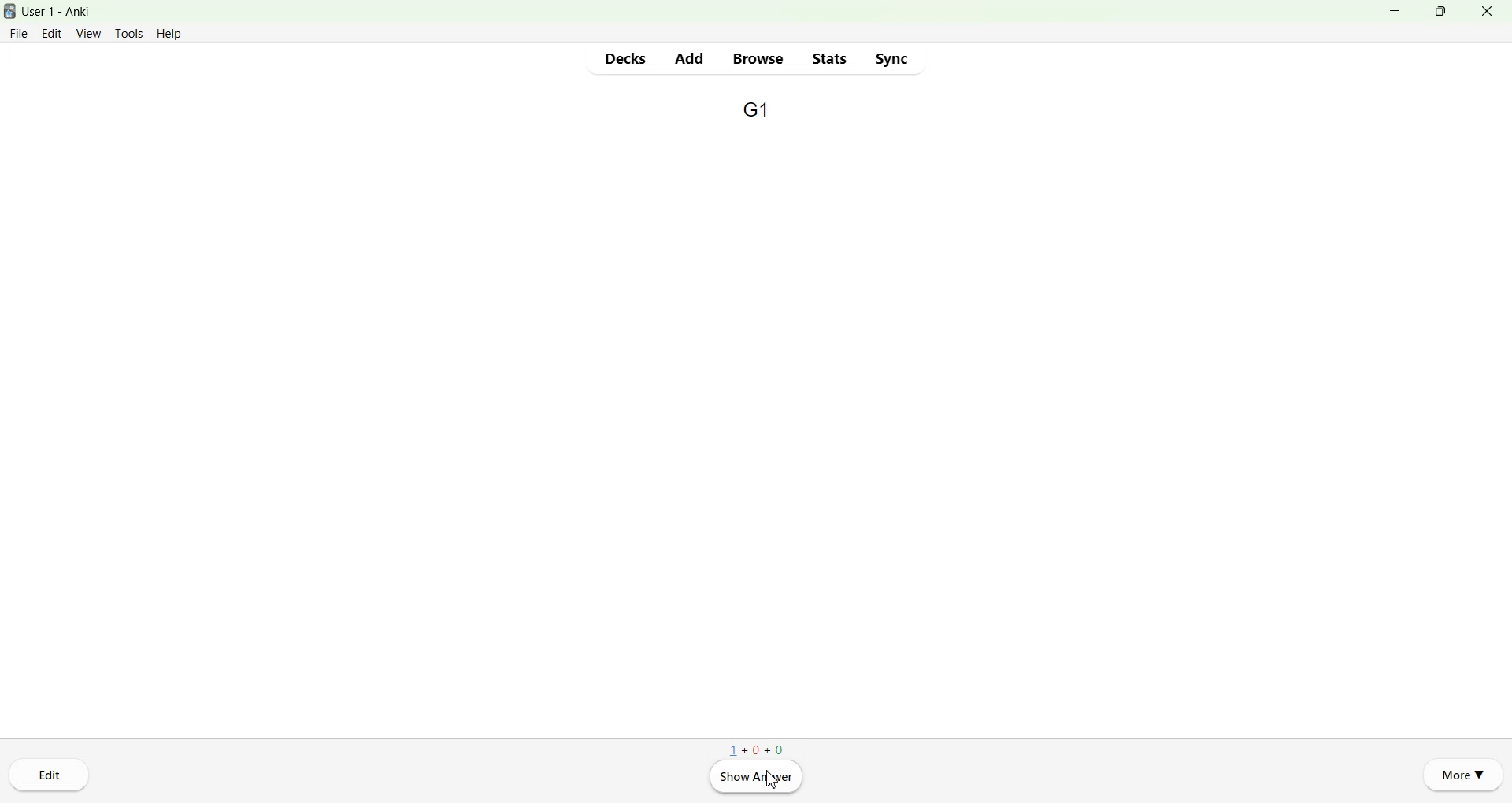 The width and height of the screenshot is (1512, 803). What do you see at coordinates (828, 58) in the screenshot?
I see `Stats` at bounding box center [828, 58].